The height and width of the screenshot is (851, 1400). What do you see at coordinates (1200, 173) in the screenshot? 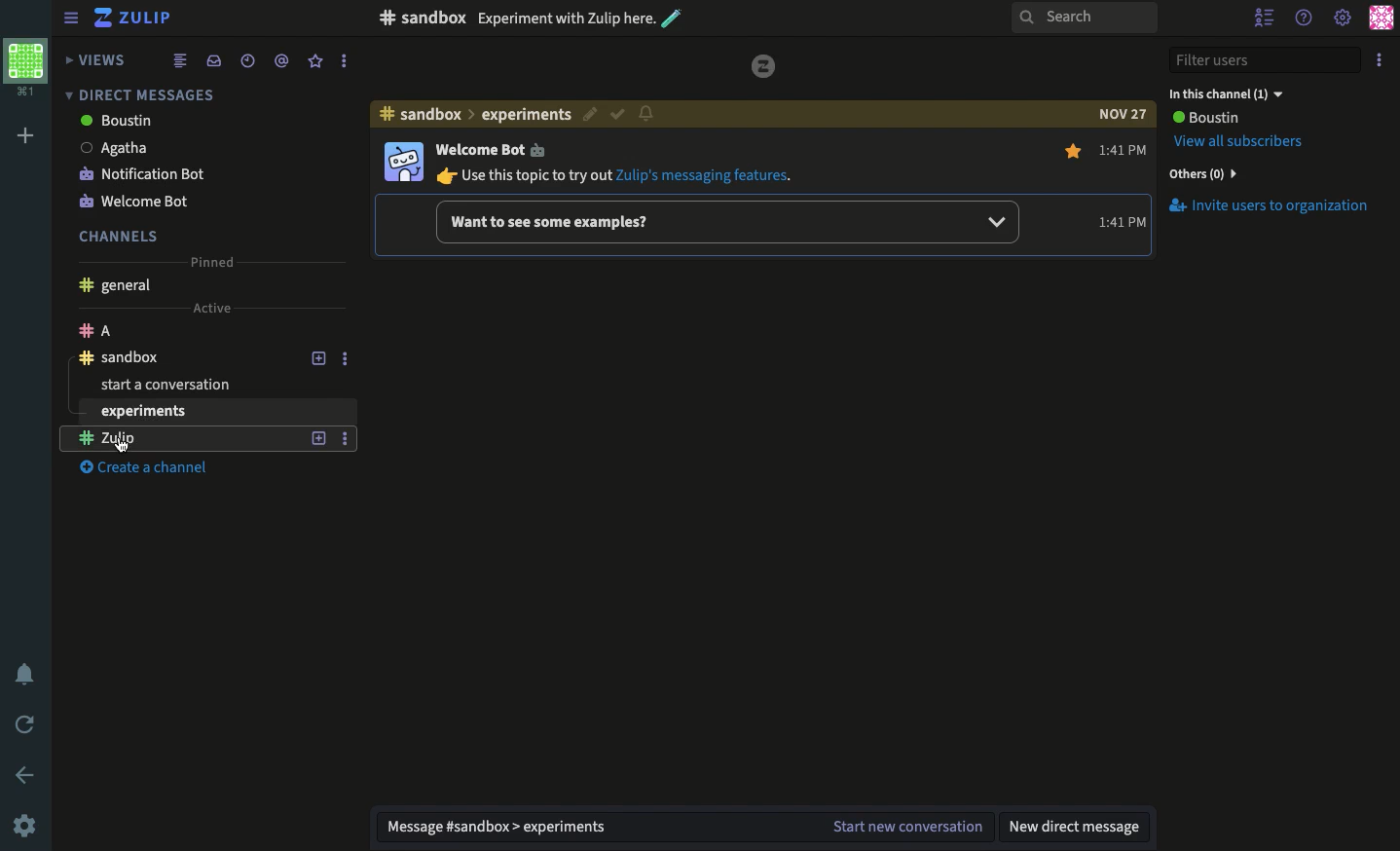
I see `Others` at bounding box center [1200, 173].